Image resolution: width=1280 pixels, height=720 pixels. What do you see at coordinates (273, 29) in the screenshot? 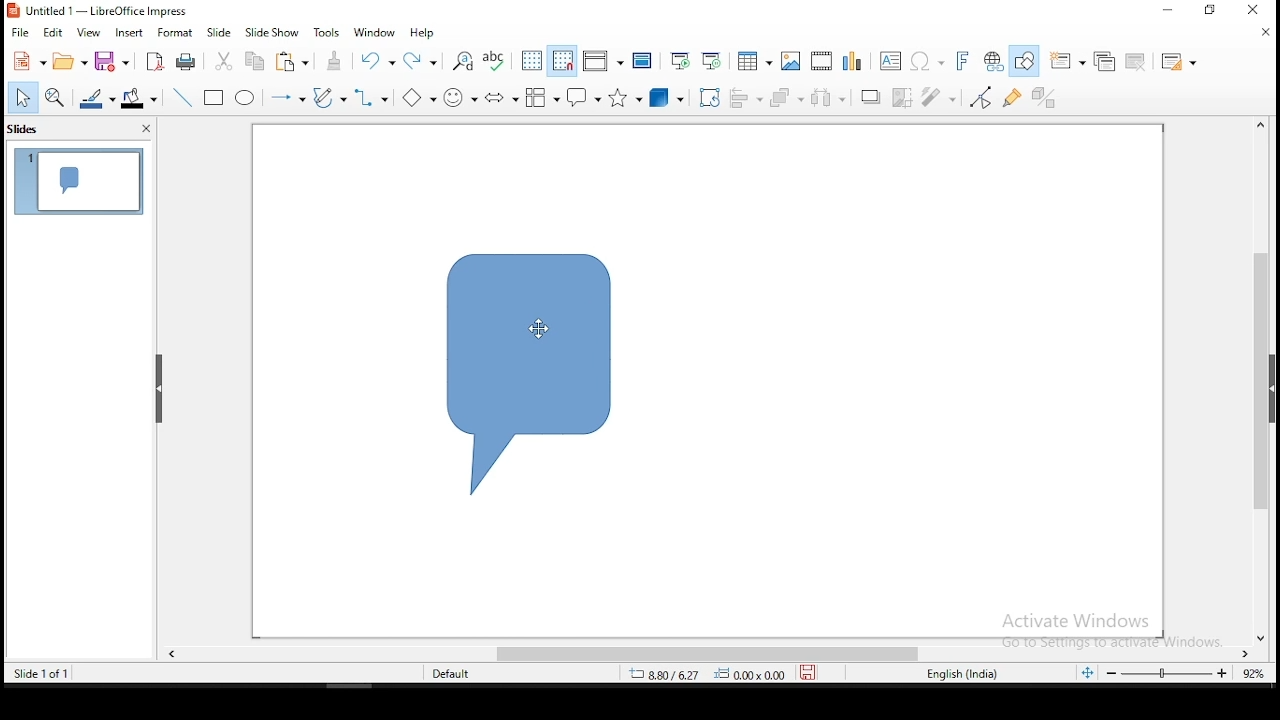
I see `slide show` at bounding box center [273, 29].